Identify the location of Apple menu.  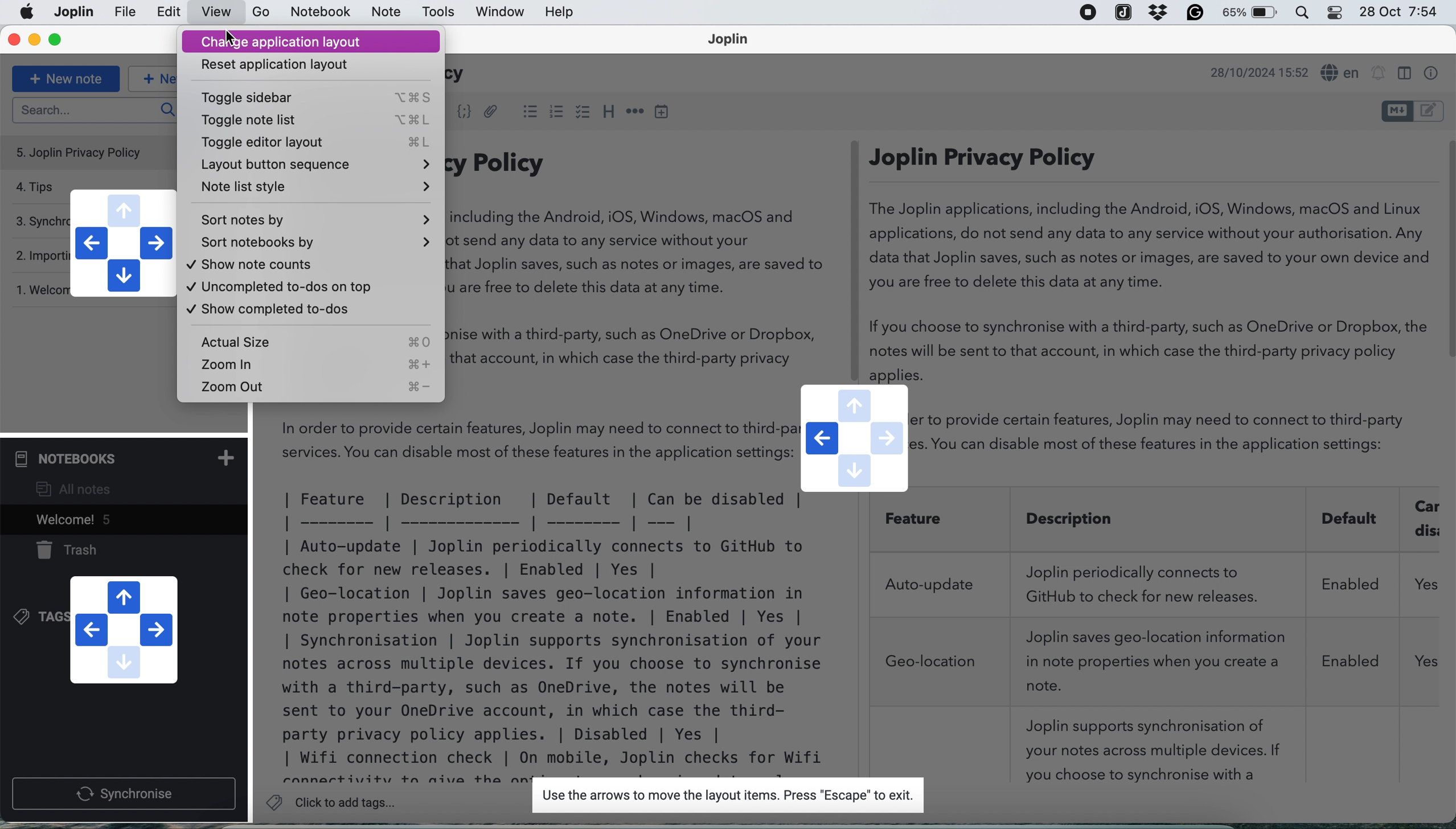
(28, 12).